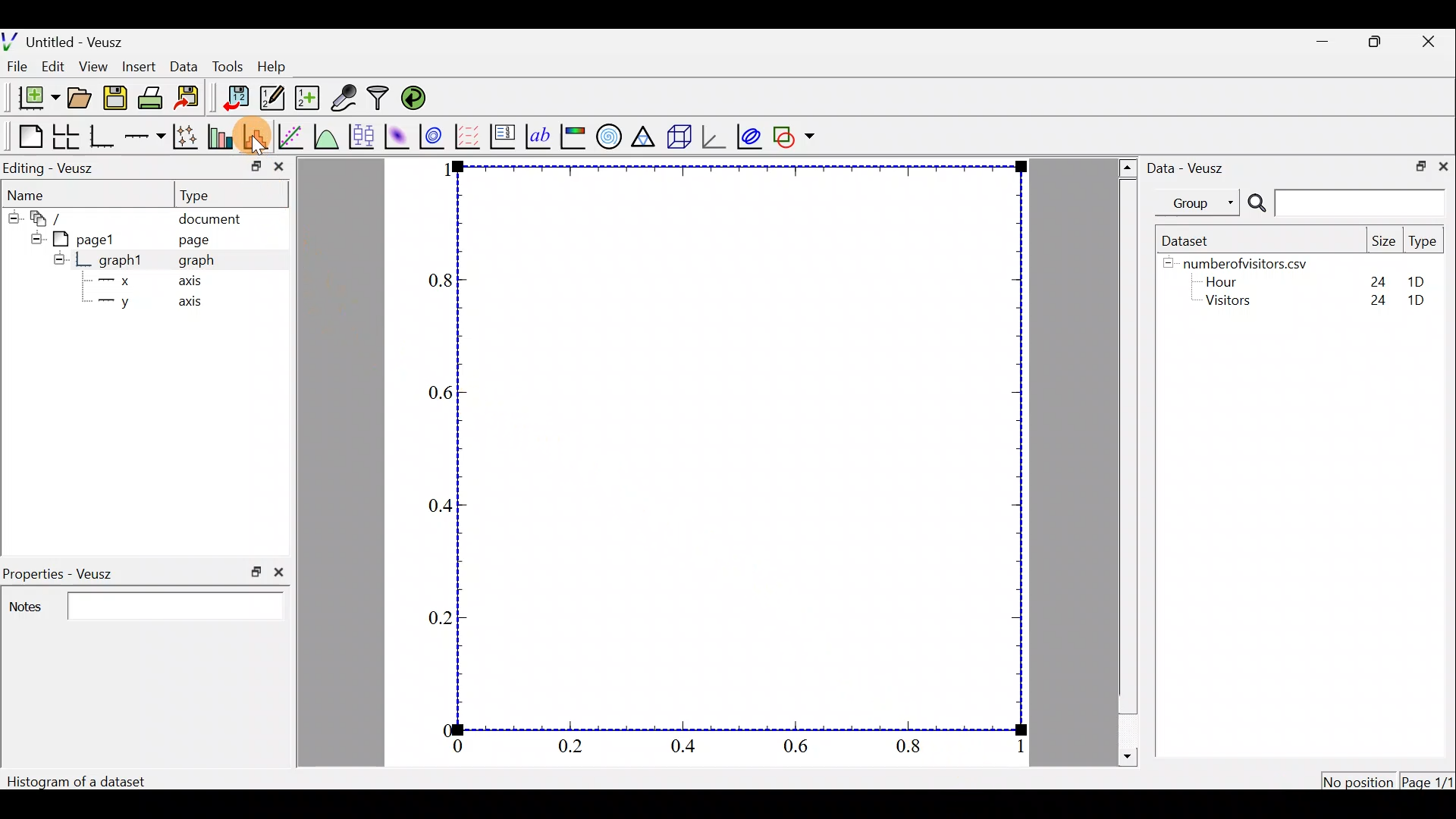 This screenshot has width=1456, height=819. Describe the element at coordinates (140, 66) in the screenshot. I see `Insert` at that location.